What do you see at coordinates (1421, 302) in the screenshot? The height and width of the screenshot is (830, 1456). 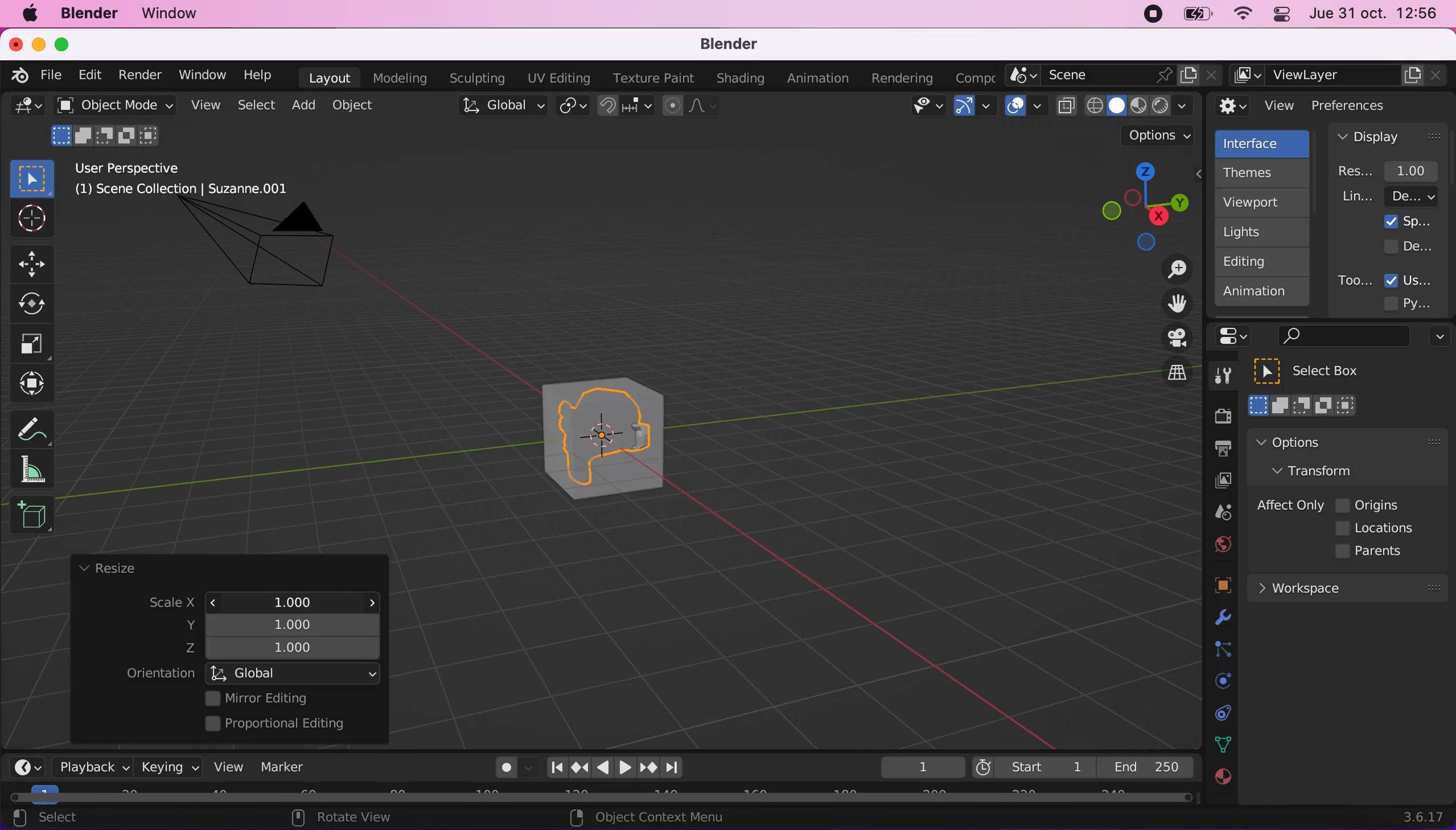 I see `python tooltips` at bounding box center [1421, 302].